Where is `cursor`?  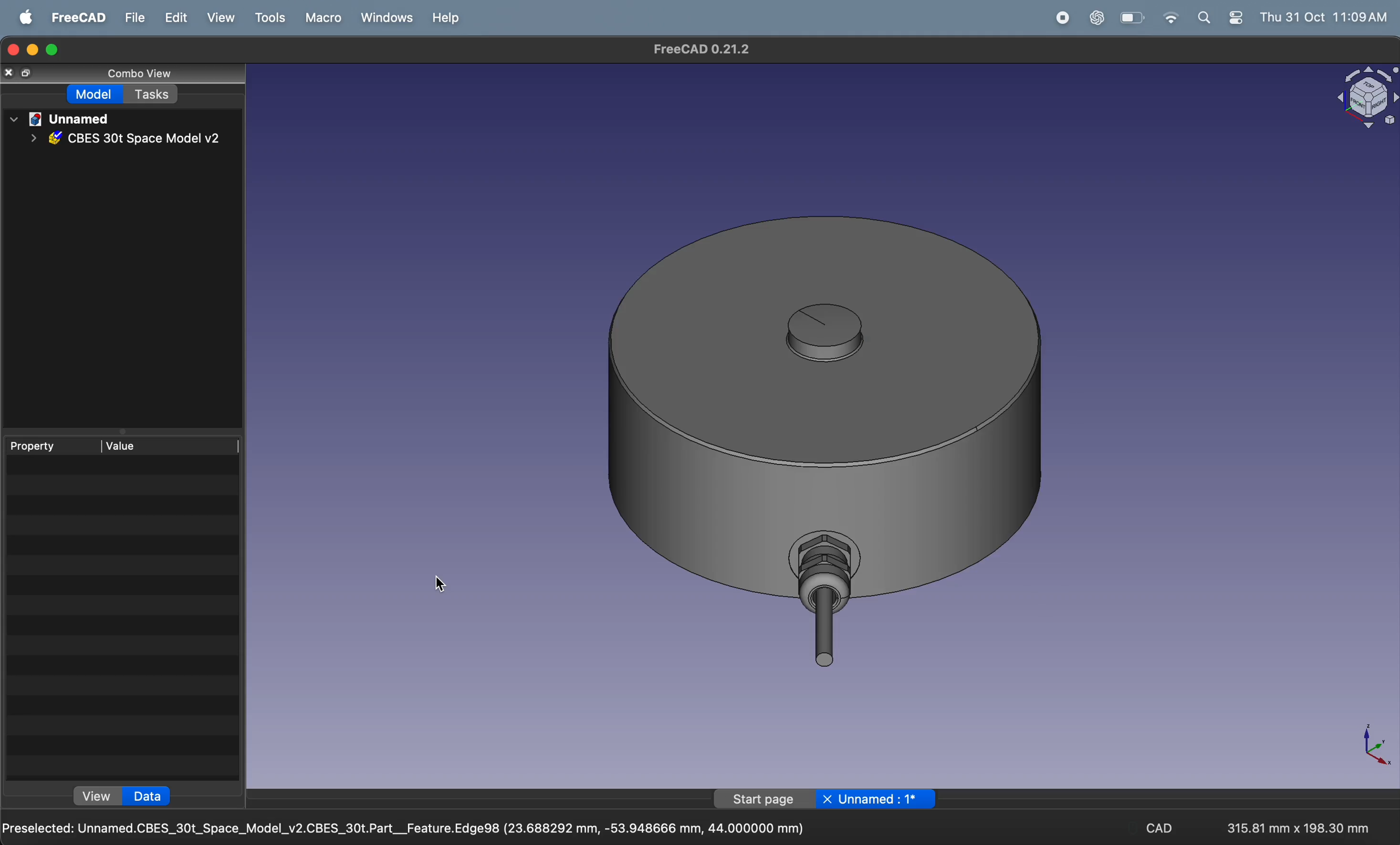
cursor is located at coordinates (442, 584).